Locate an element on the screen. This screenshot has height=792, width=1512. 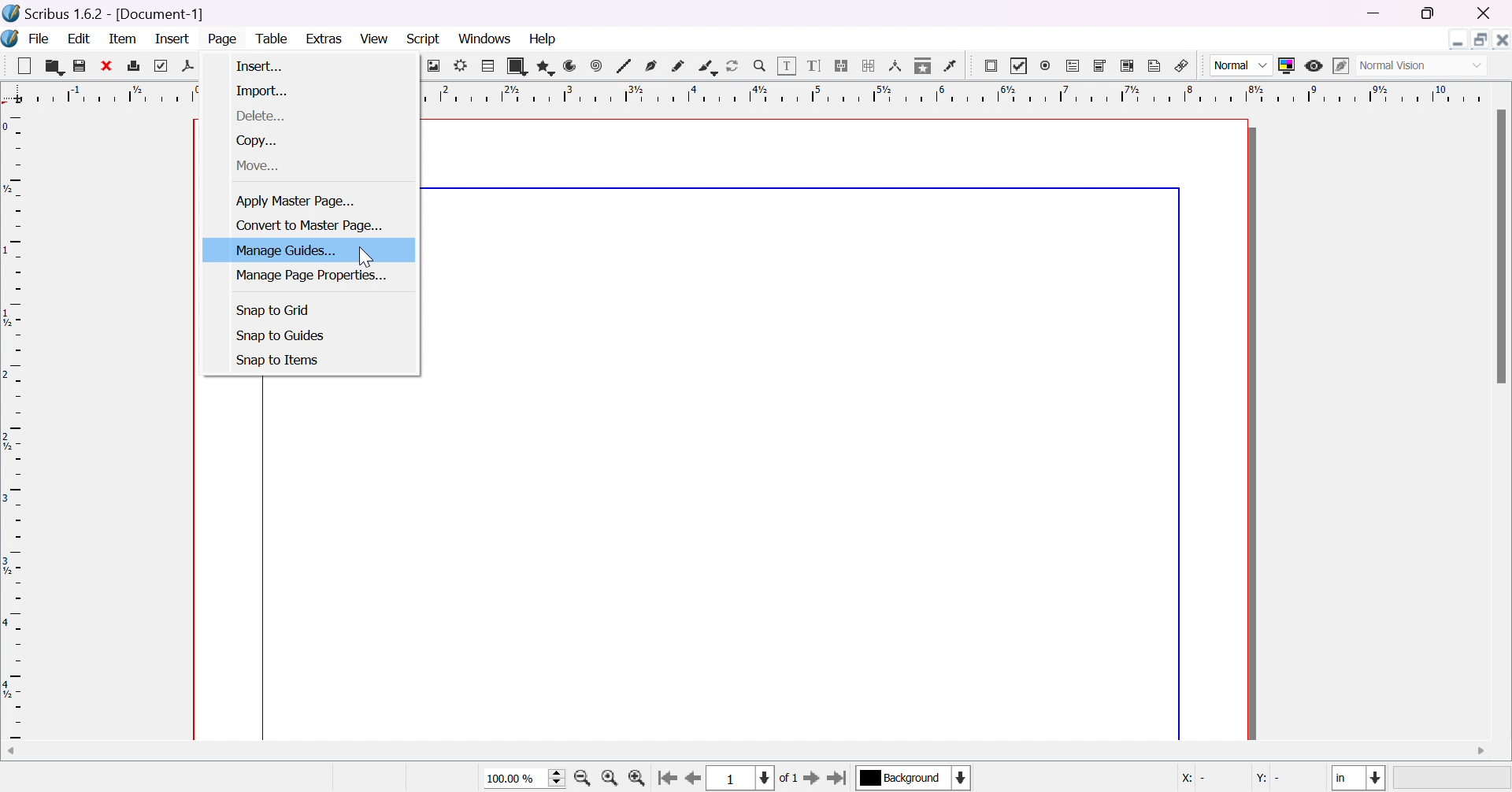
image frame is located at coordinates (437, 67).